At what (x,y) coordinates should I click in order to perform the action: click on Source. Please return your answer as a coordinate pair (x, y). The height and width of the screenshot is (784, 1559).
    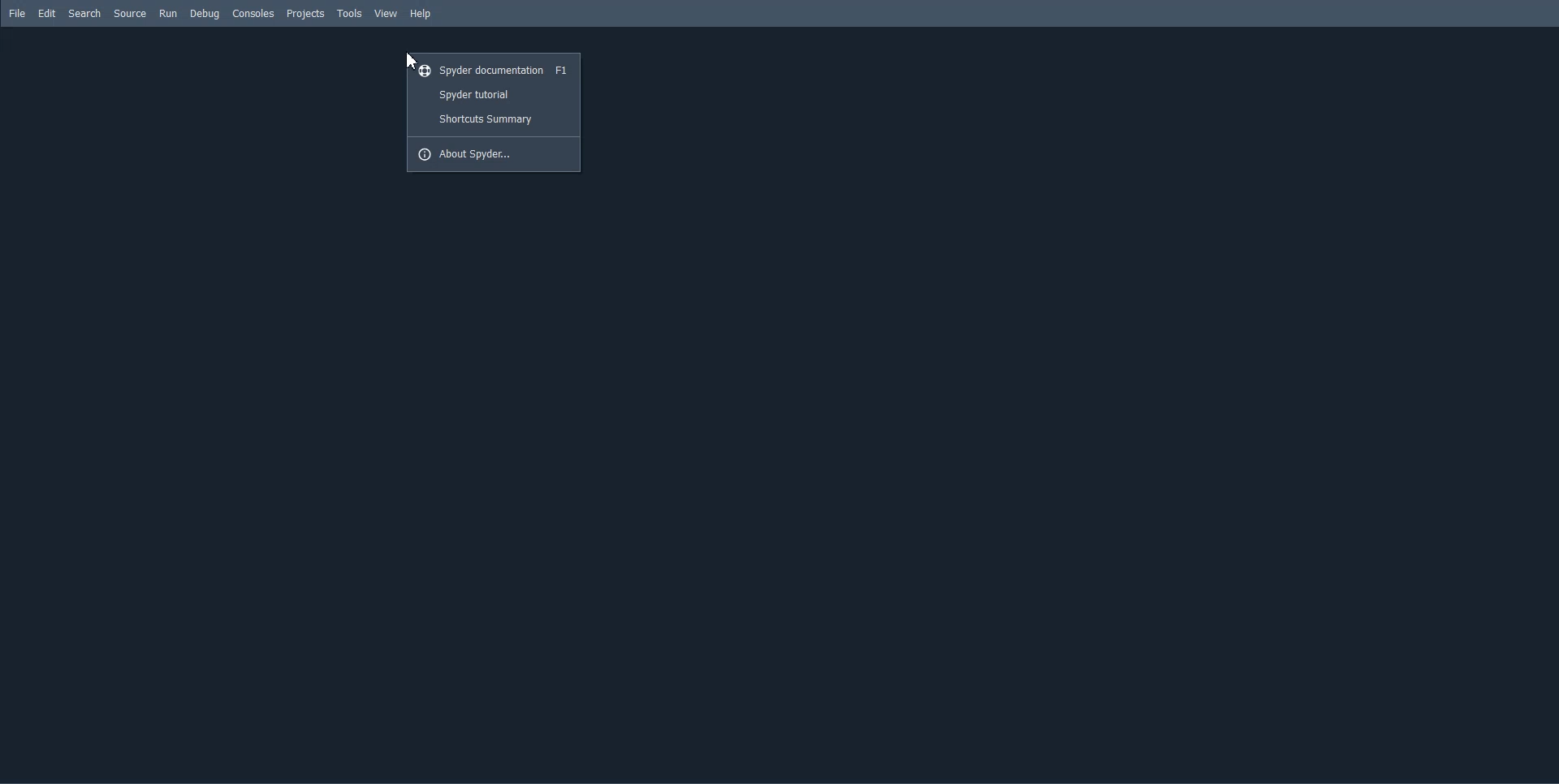
    Looking at the image, I should click on (129, 13).